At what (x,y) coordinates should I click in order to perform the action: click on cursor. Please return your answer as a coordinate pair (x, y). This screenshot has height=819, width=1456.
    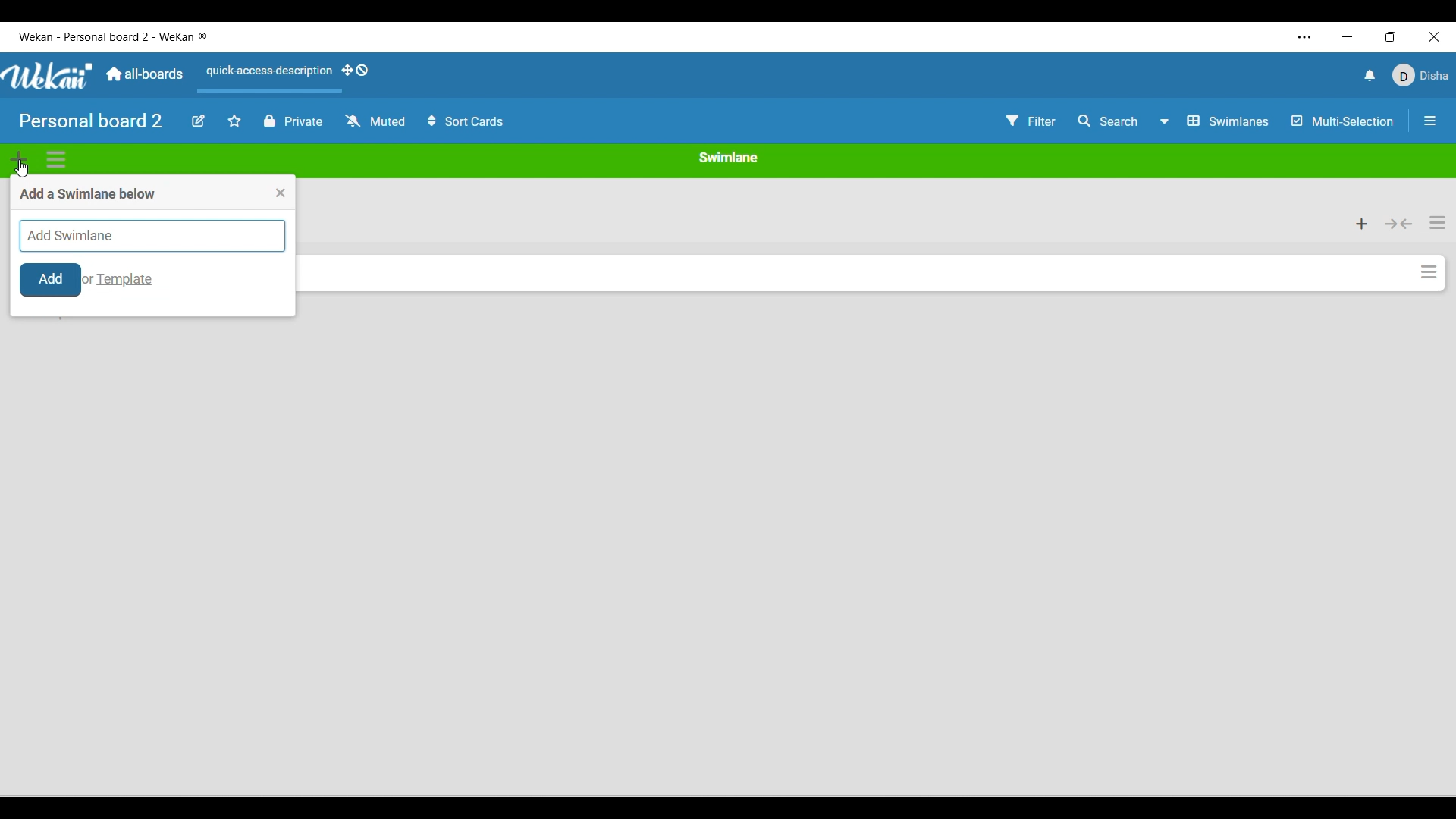
    Looking at the image, I should click on (26, 173).